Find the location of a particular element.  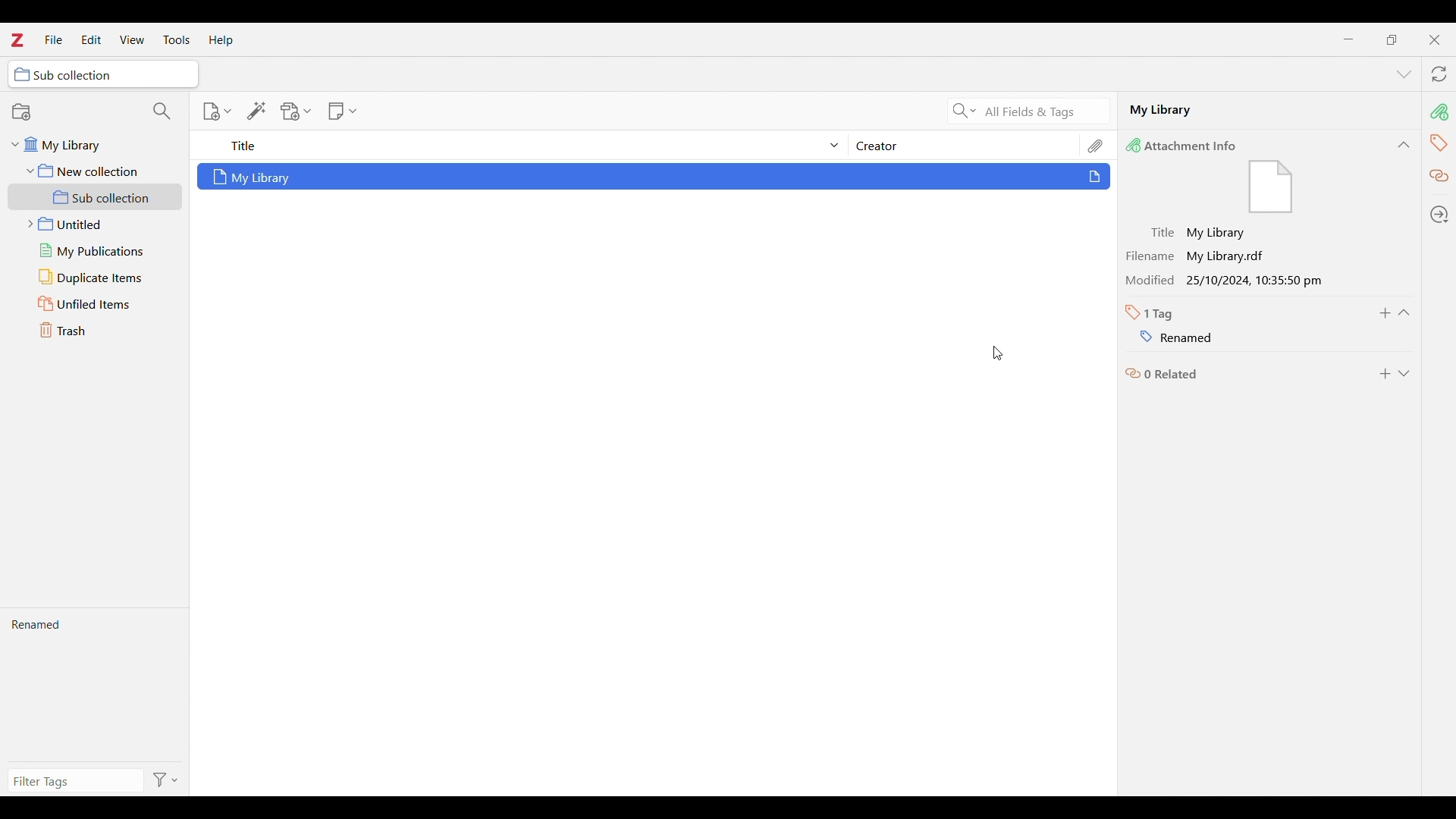

List all tabs is located at coordinates (1404, 75).